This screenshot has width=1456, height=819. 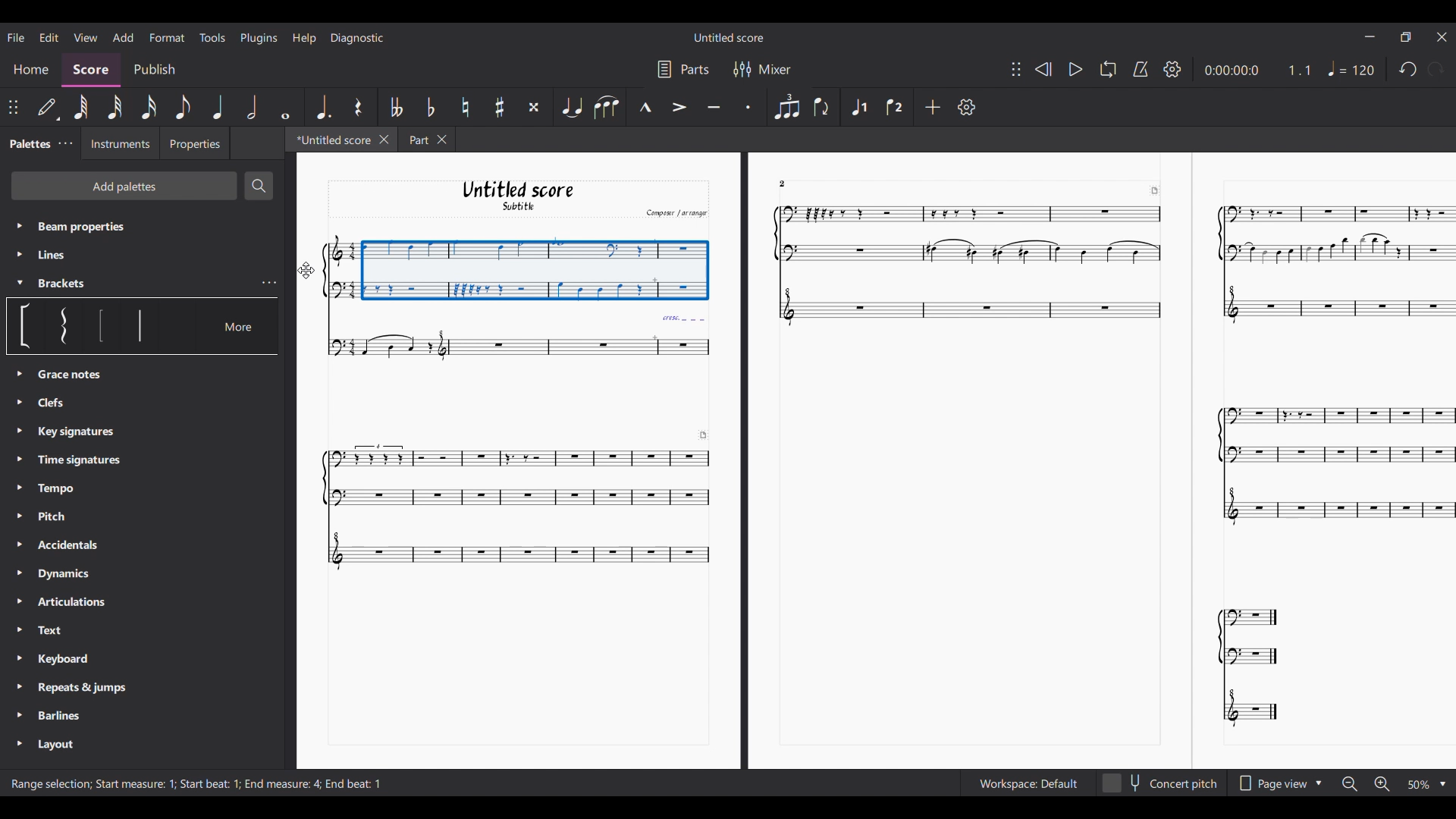 I want to click on 16th note, so click(x=149, y=108).